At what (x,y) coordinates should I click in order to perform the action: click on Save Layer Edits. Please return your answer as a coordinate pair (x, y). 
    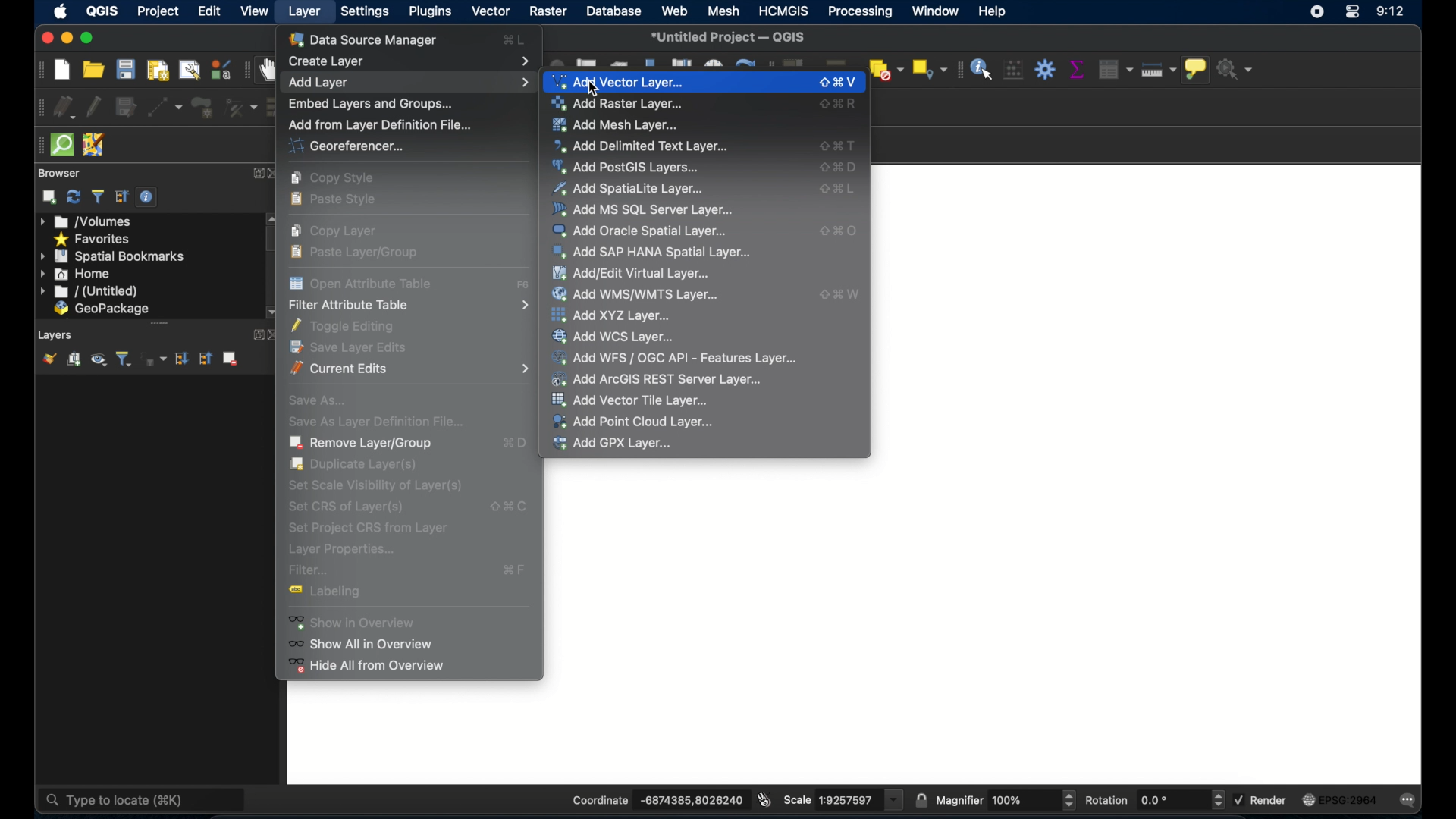
    Looking at the image, I should click on (354, 349).